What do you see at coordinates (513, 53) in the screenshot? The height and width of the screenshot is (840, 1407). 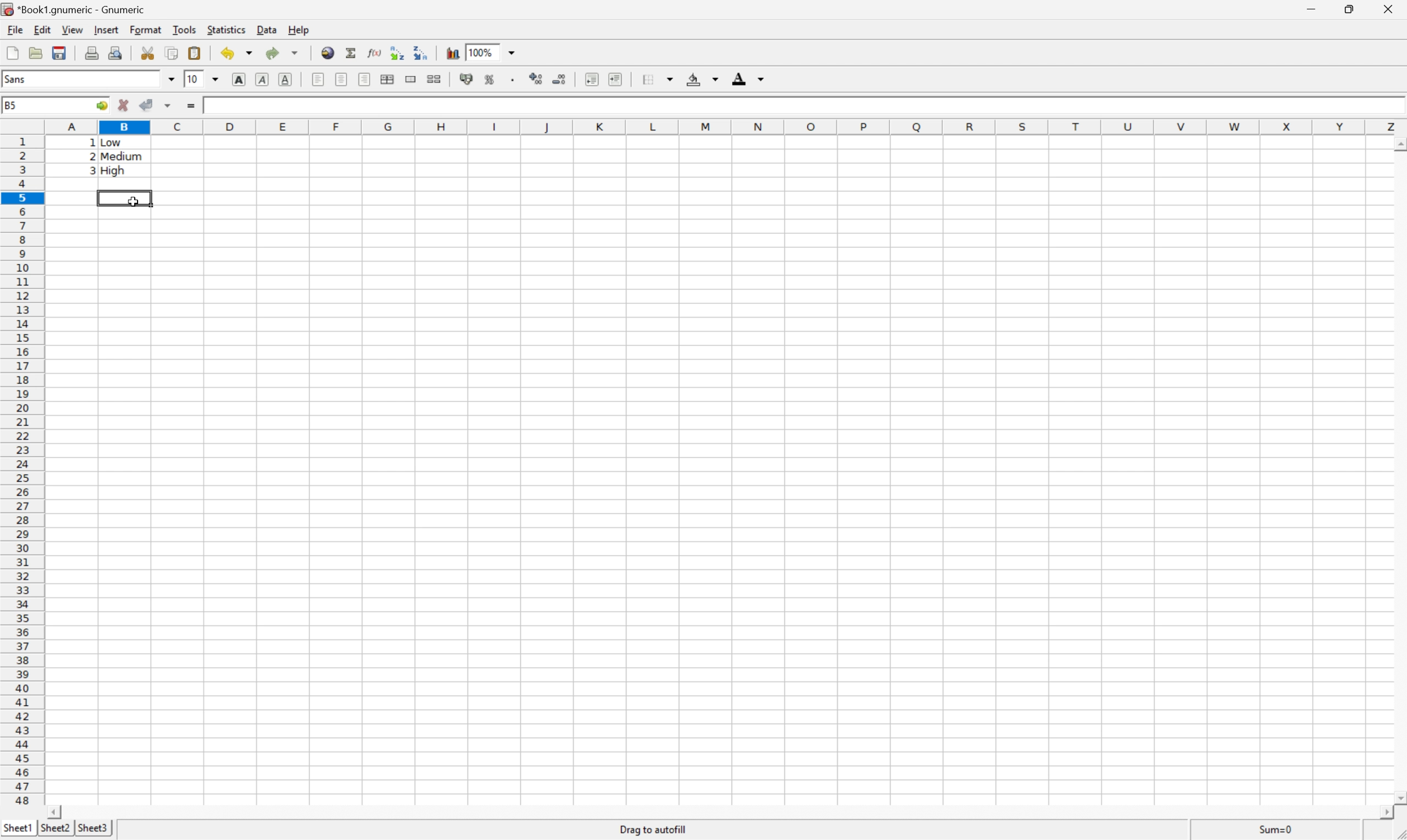 I see `Drop Down` at bounding box center [513, 53].